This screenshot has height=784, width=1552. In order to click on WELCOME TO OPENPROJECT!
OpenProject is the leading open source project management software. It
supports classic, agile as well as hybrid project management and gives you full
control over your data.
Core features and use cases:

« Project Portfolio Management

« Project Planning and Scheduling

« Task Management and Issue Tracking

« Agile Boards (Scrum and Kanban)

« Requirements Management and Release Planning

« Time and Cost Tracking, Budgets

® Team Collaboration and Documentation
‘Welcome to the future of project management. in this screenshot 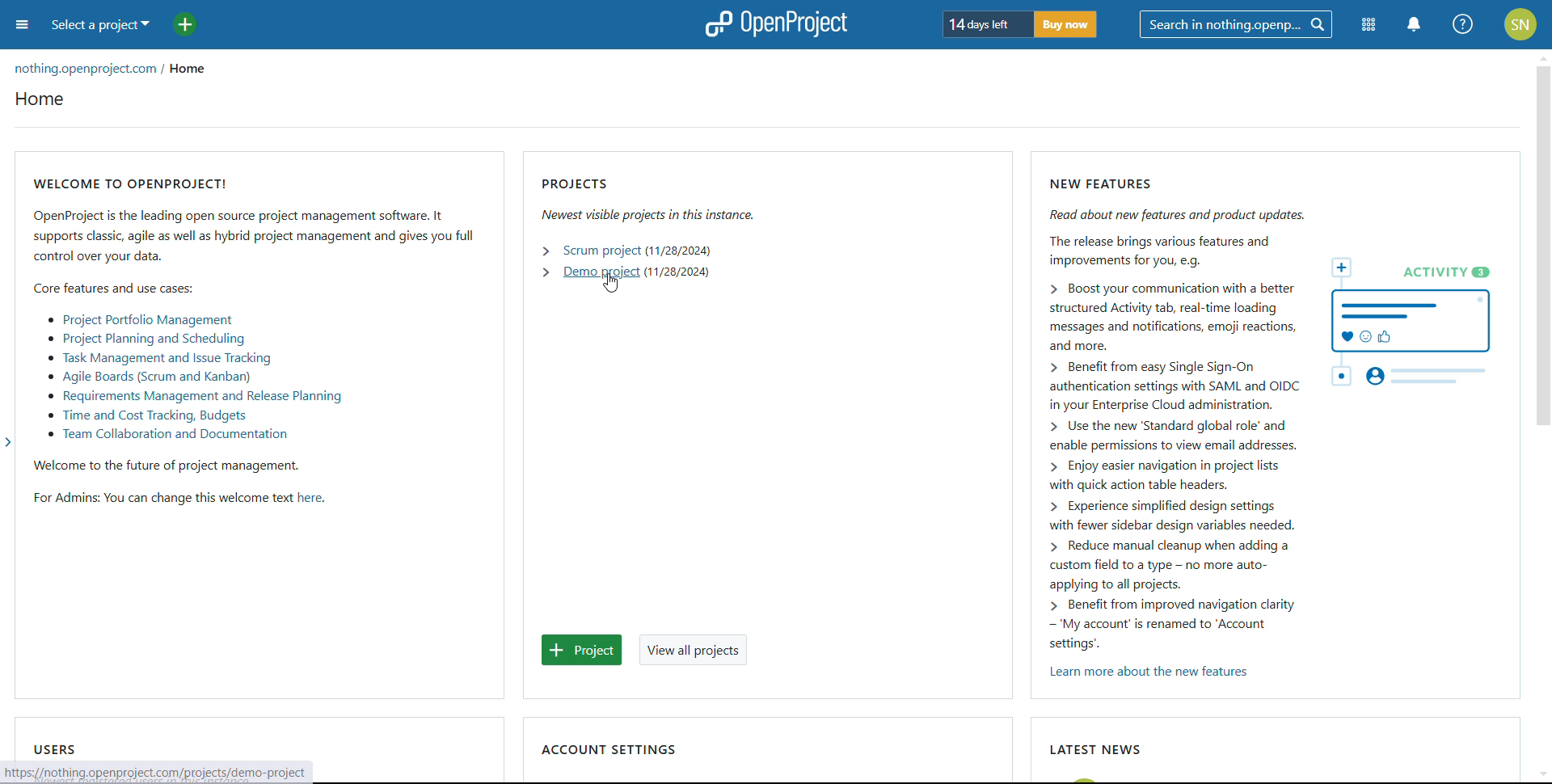, I will do `click(251, 322)`.